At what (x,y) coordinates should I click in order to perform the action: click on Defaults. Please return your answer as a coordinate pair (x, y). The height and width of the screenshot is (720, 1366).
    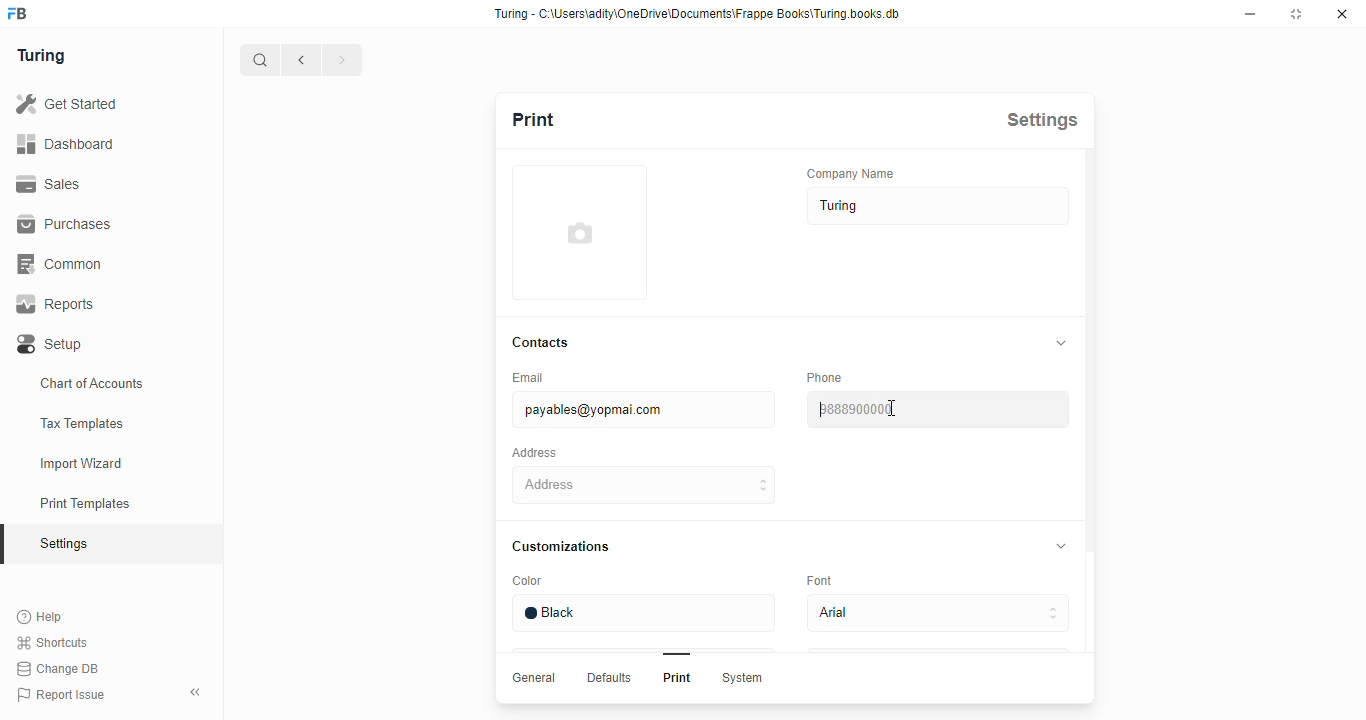
    Looking at the image, I should click on (606, 678).